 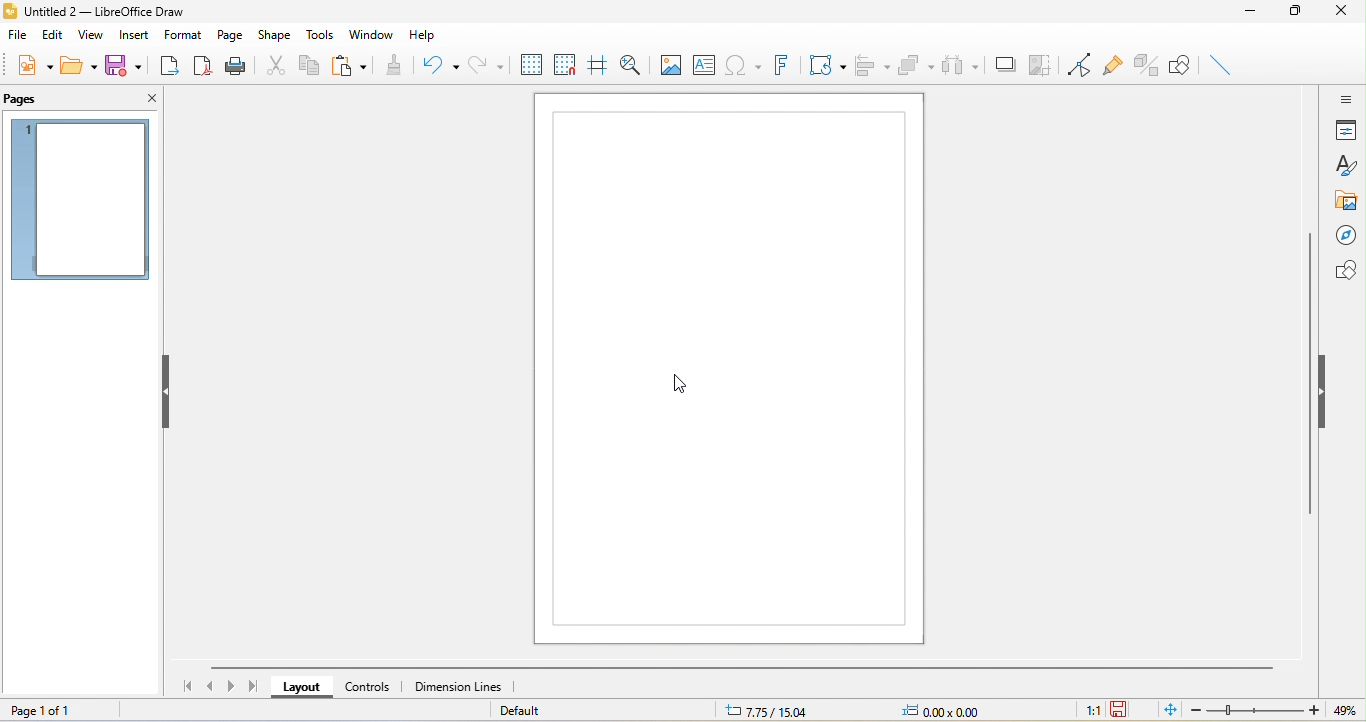 What do you see at coordinates (53, 33) in the screenshot?
I see `edit` at bounding box center [53, 33].